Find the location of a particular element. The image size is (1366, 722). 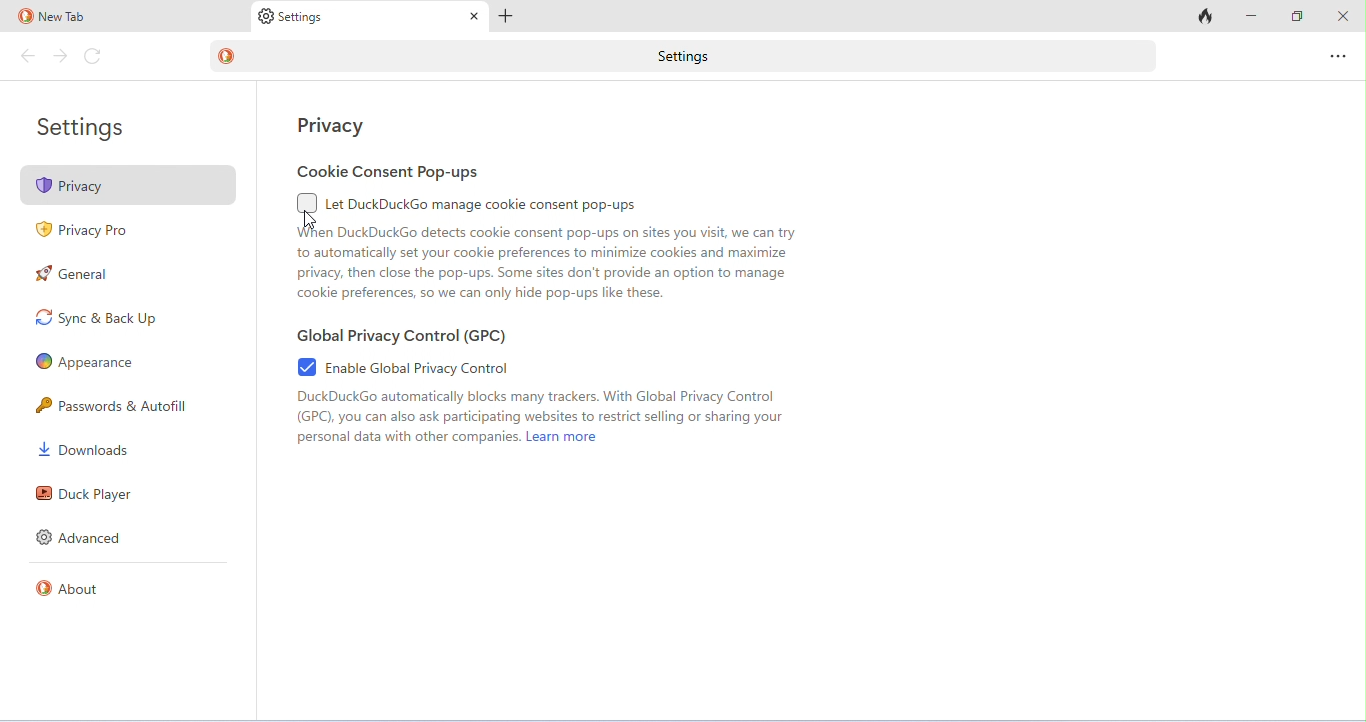

close tabs and clear data is located at coordinates (1202, 17).